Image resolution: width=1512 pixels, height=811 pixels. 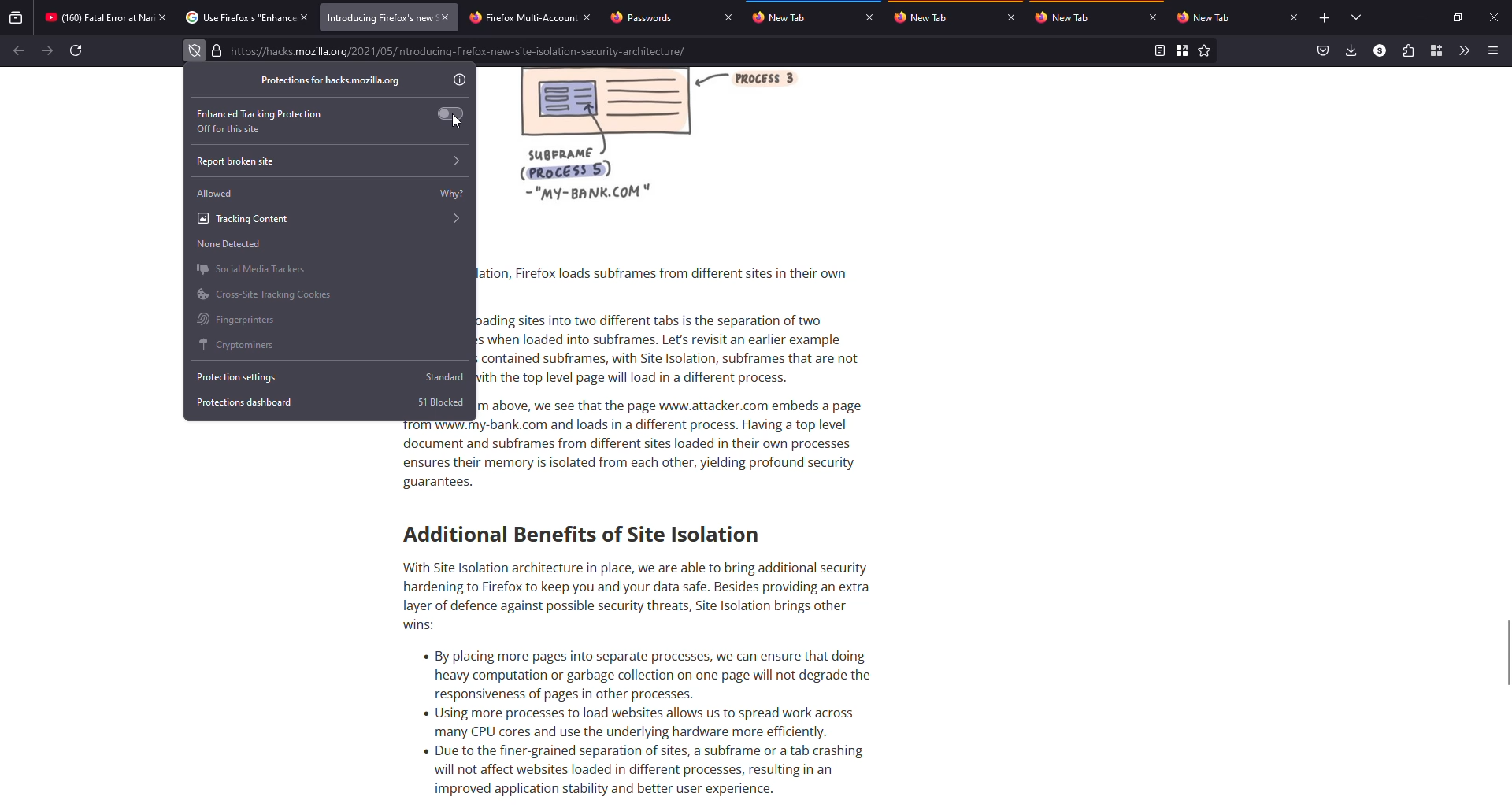 What do you see at coordinates (1154, 18) in the screenshot?
I see `close` at bounding box center [1154, 18].